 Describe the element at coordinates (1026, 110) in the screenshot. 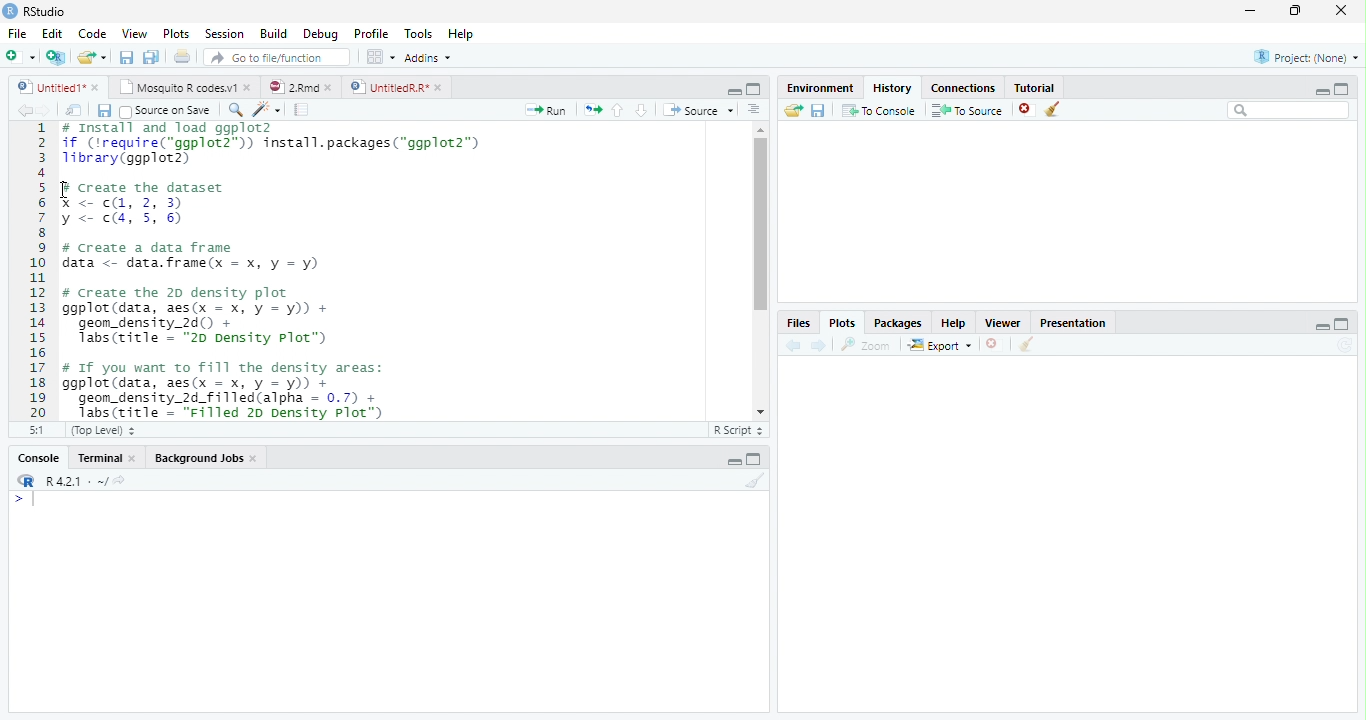

I see `close` at that location.